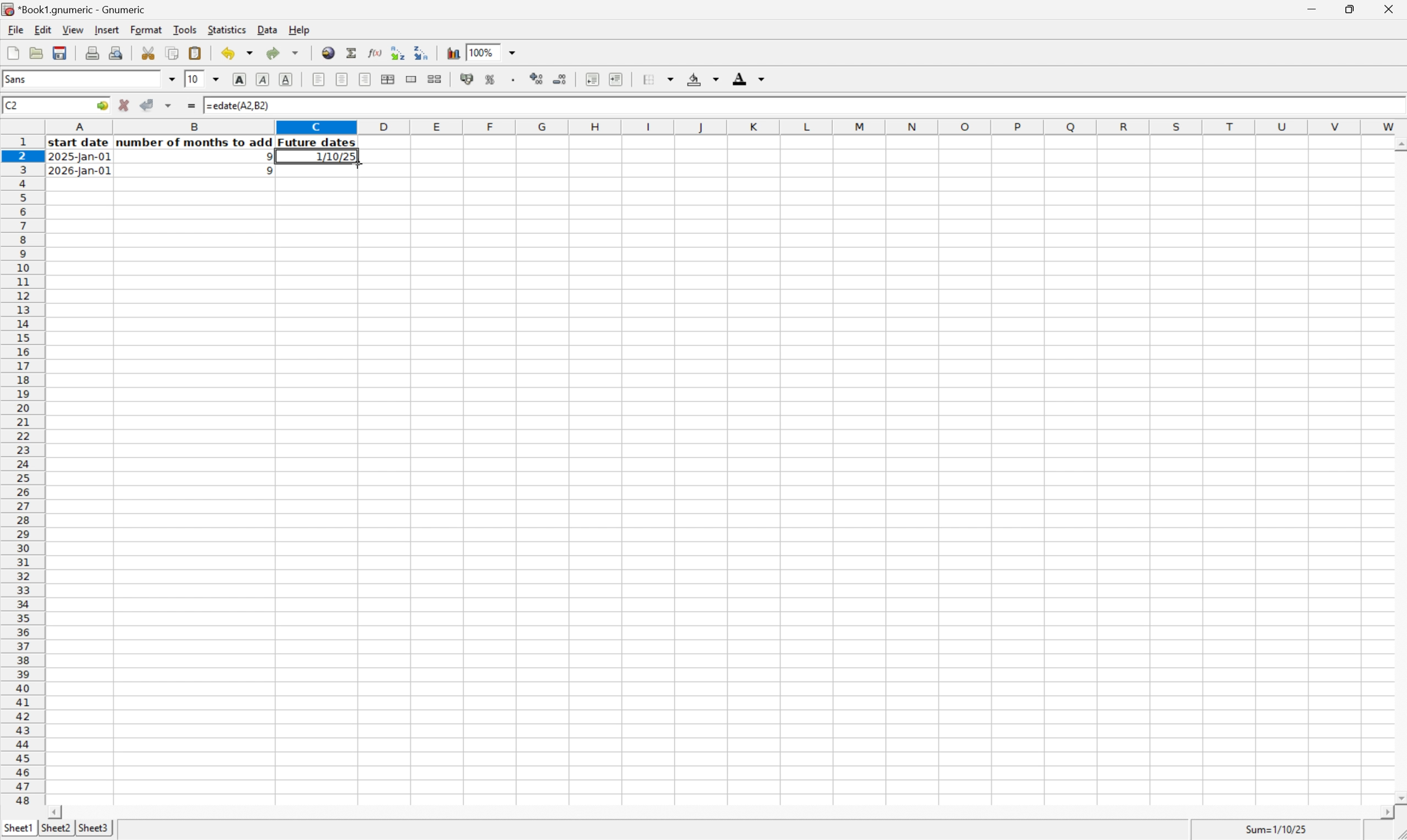 This screenshot has height=840, width=1407. What do you see at coordinates (480, 52) in the screenshot?
I see `100%` at bounding box center [480, 52].